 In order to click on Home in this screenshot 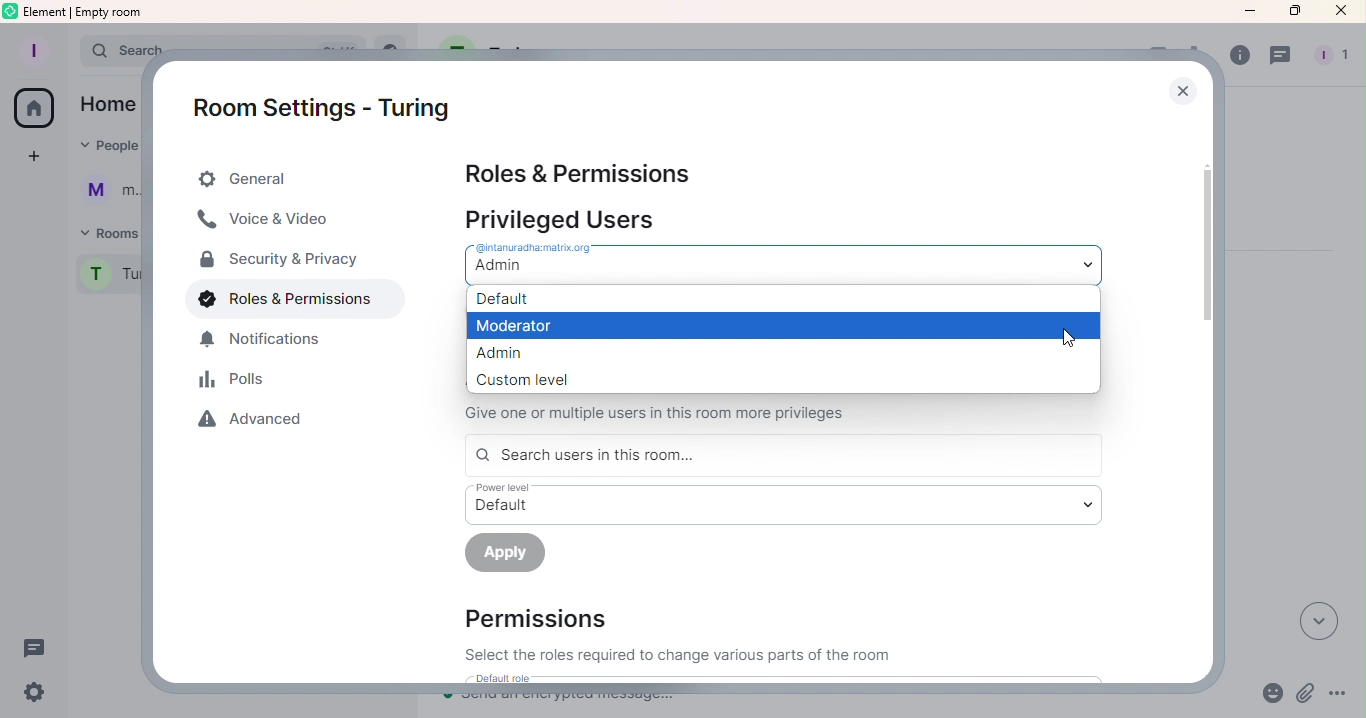, I will do `click(40, 108)`.